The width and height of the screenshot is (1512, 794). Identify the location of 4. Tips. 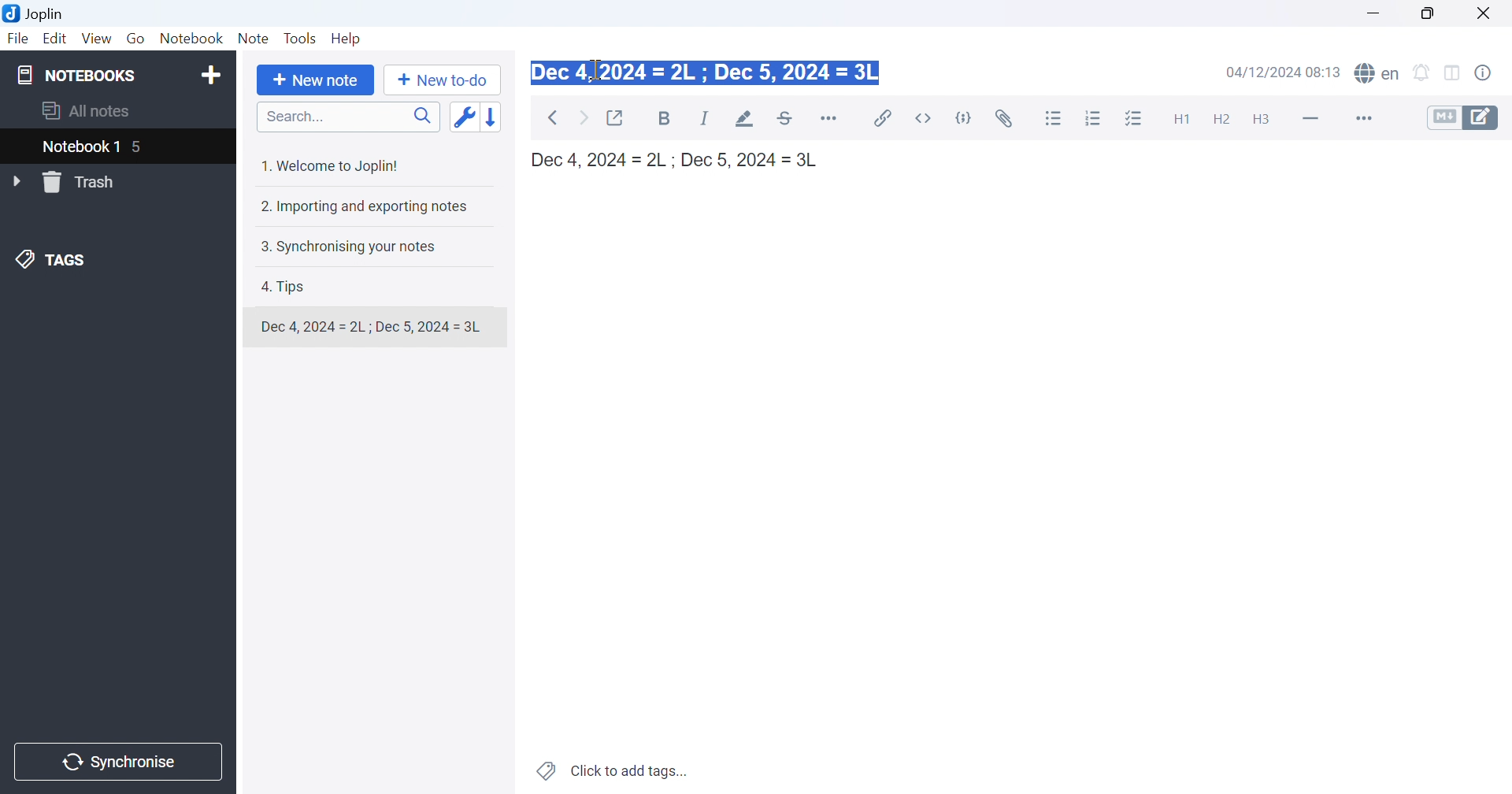
(290, 286).